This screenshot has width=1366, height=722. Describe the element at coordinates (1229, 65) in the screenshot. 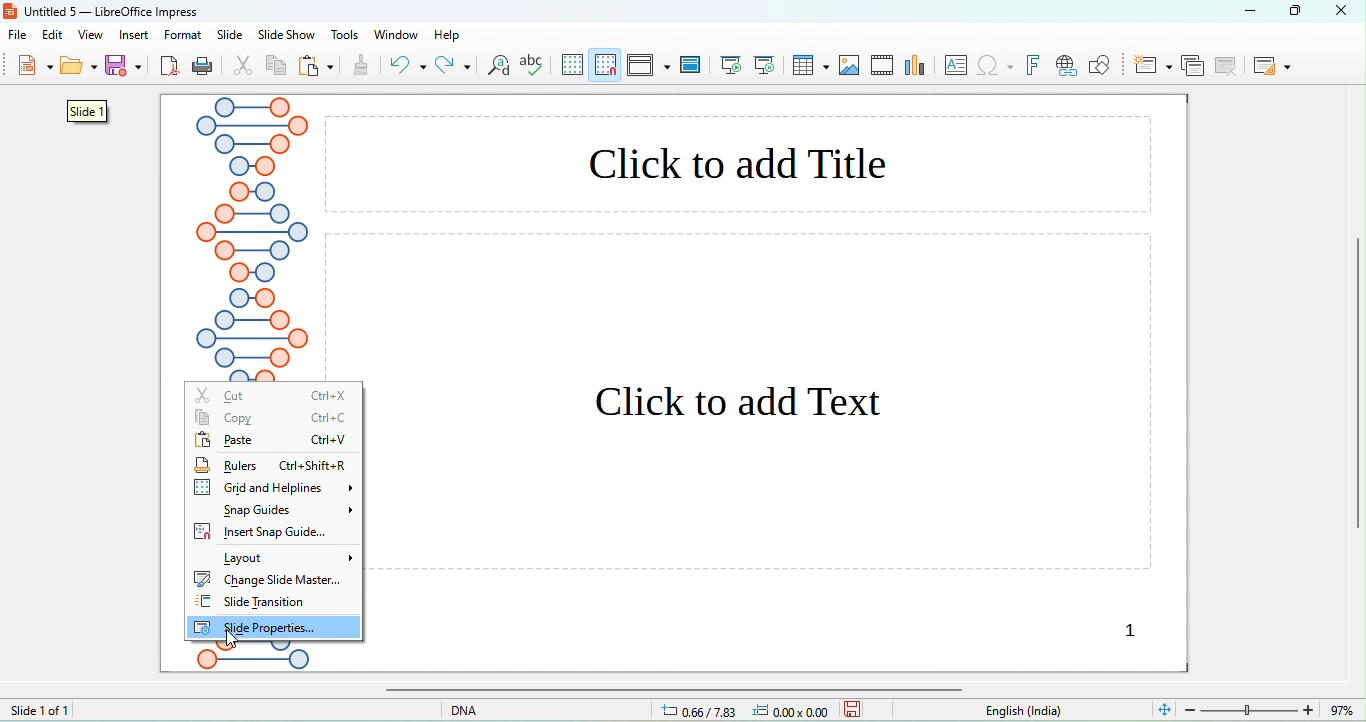

I see `remove slide` at that location.